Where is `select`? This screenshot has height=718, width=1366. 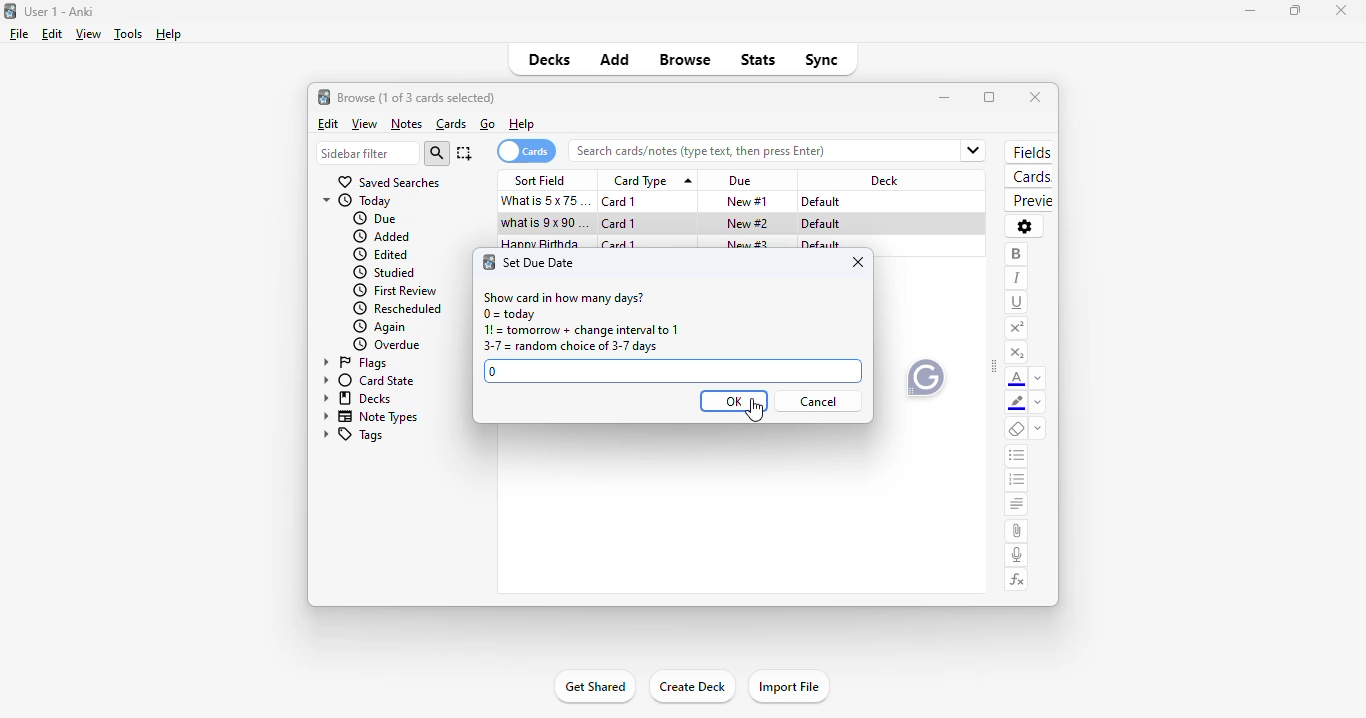
select is located at coordinates (464, 153).